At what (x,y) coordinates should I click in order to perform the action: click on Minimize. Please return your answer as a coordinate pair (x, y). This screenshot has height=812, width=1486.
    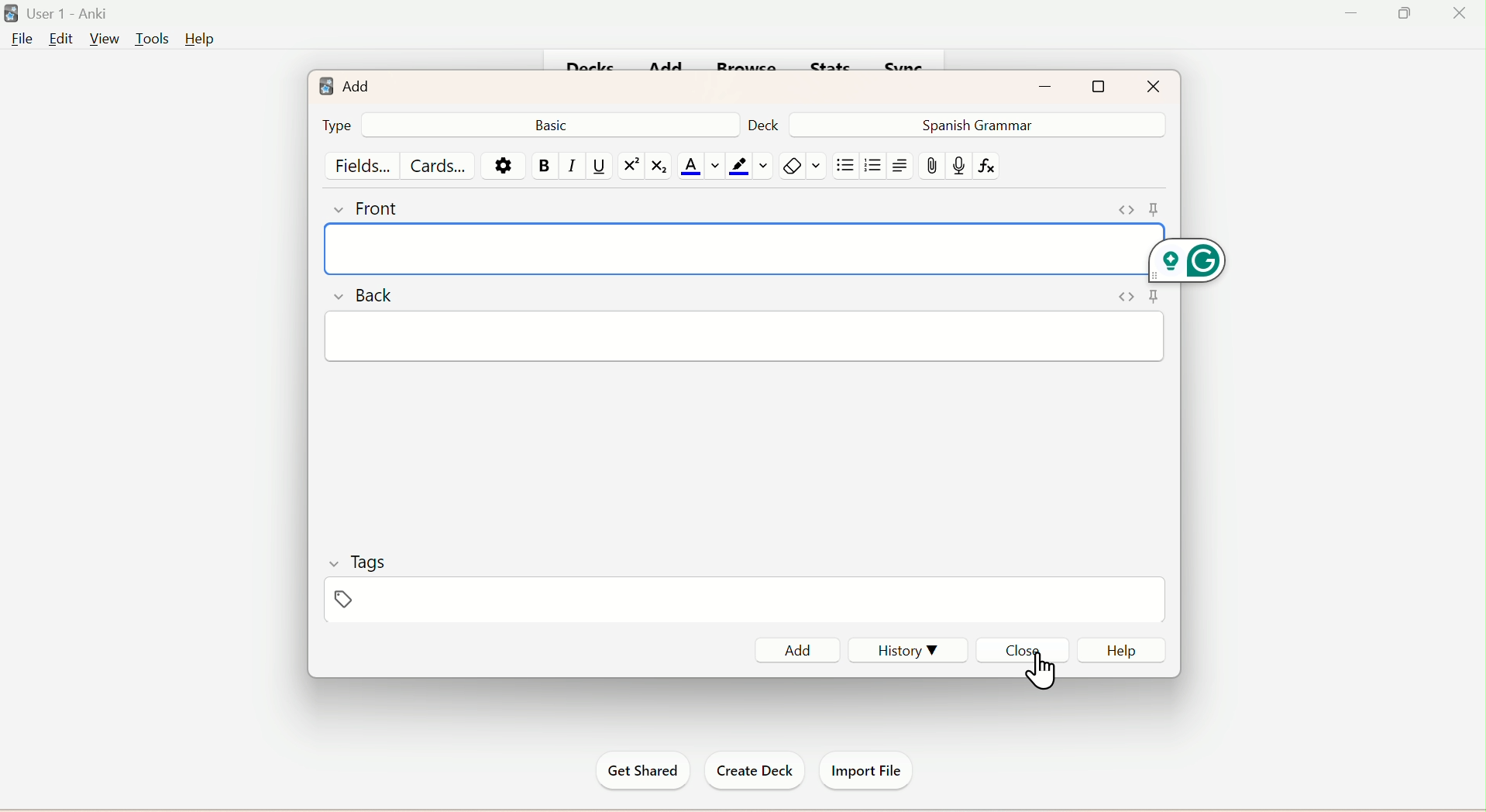
    Looking at the image, I should click on (1051, 84).